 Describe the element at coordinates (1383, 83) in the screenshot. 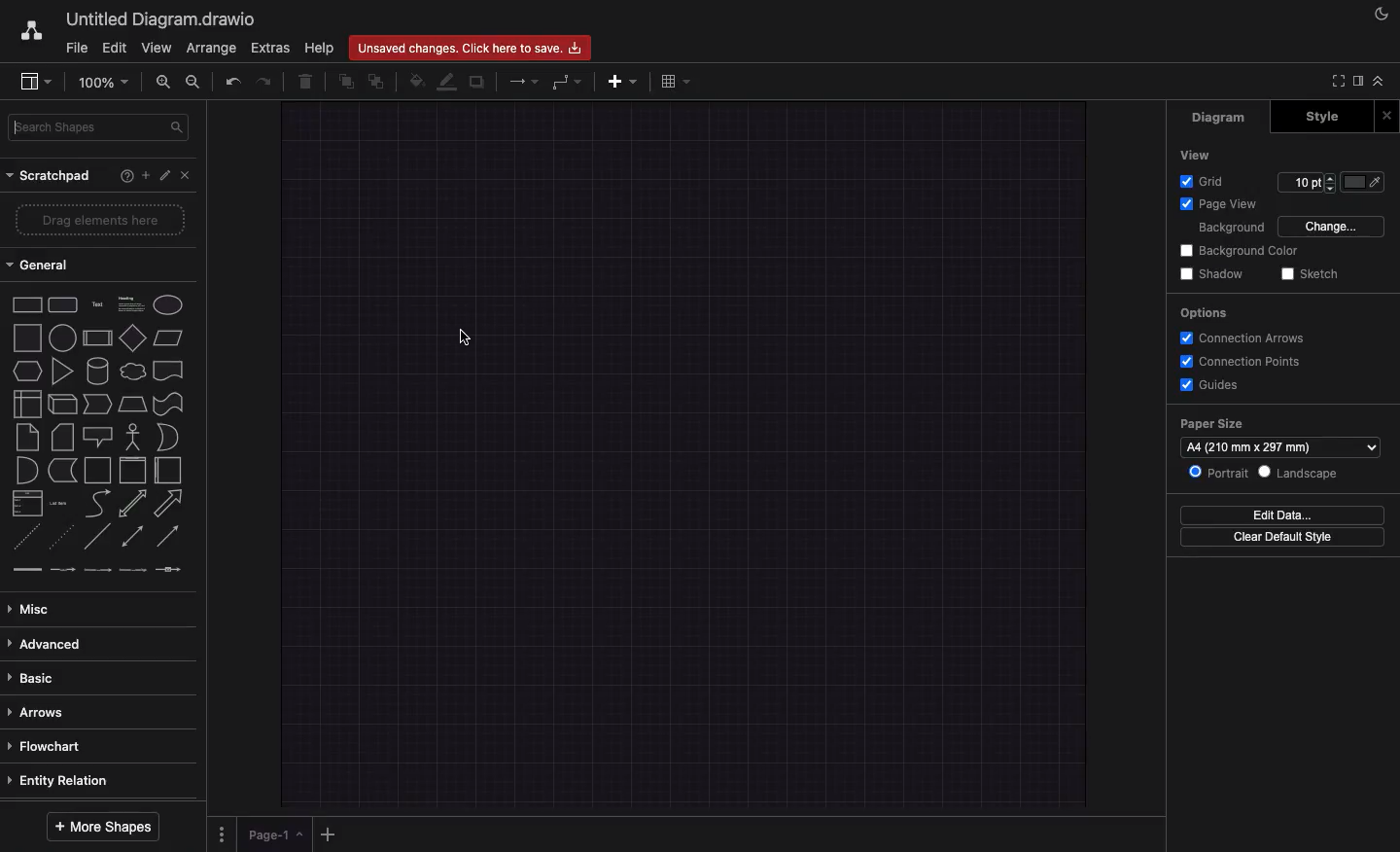

I see `Collapse` at that location.